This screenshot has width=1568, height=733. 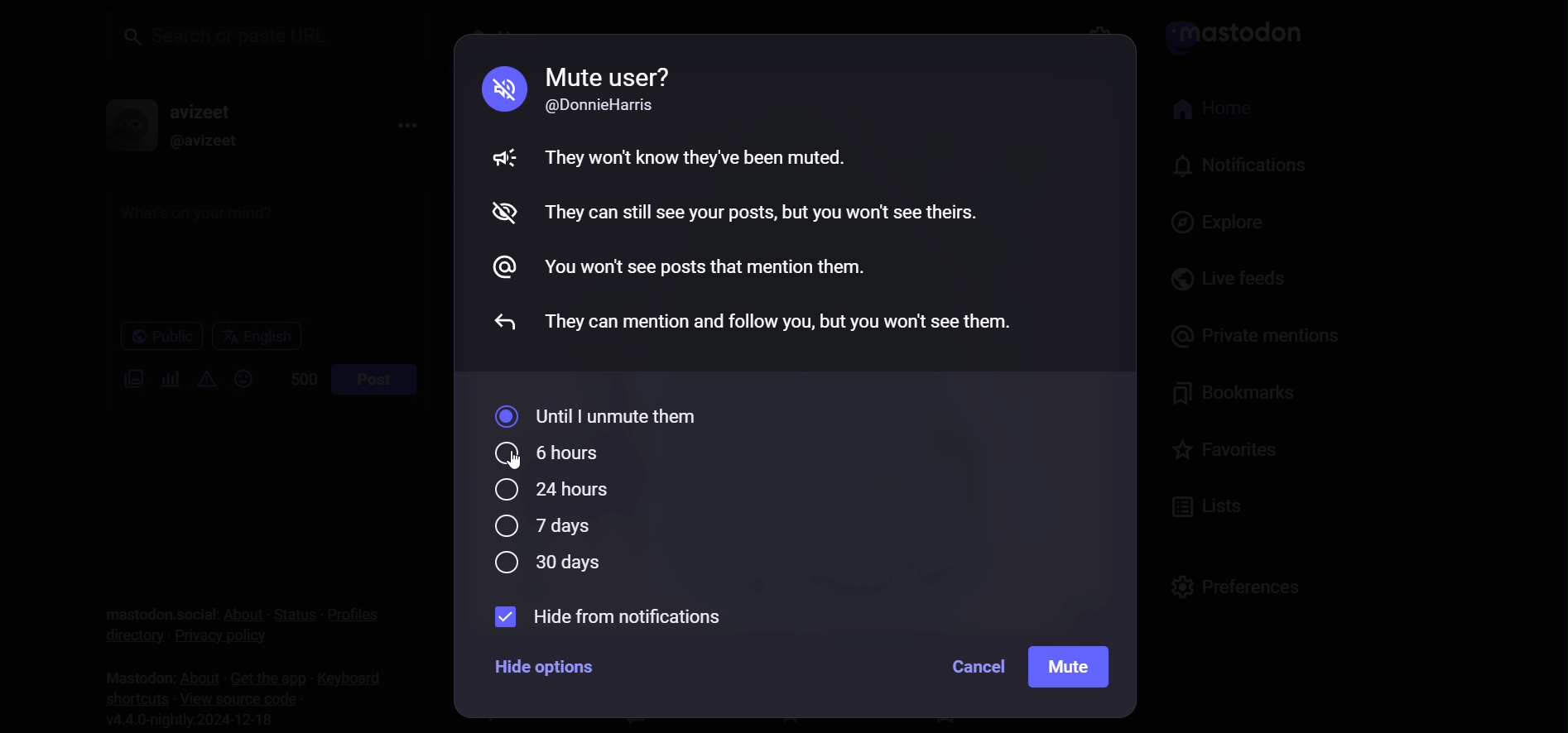 What do you see at coordinates (546, 666) in the screenshot?
I see `hide option` at bounding box center [546, 666].